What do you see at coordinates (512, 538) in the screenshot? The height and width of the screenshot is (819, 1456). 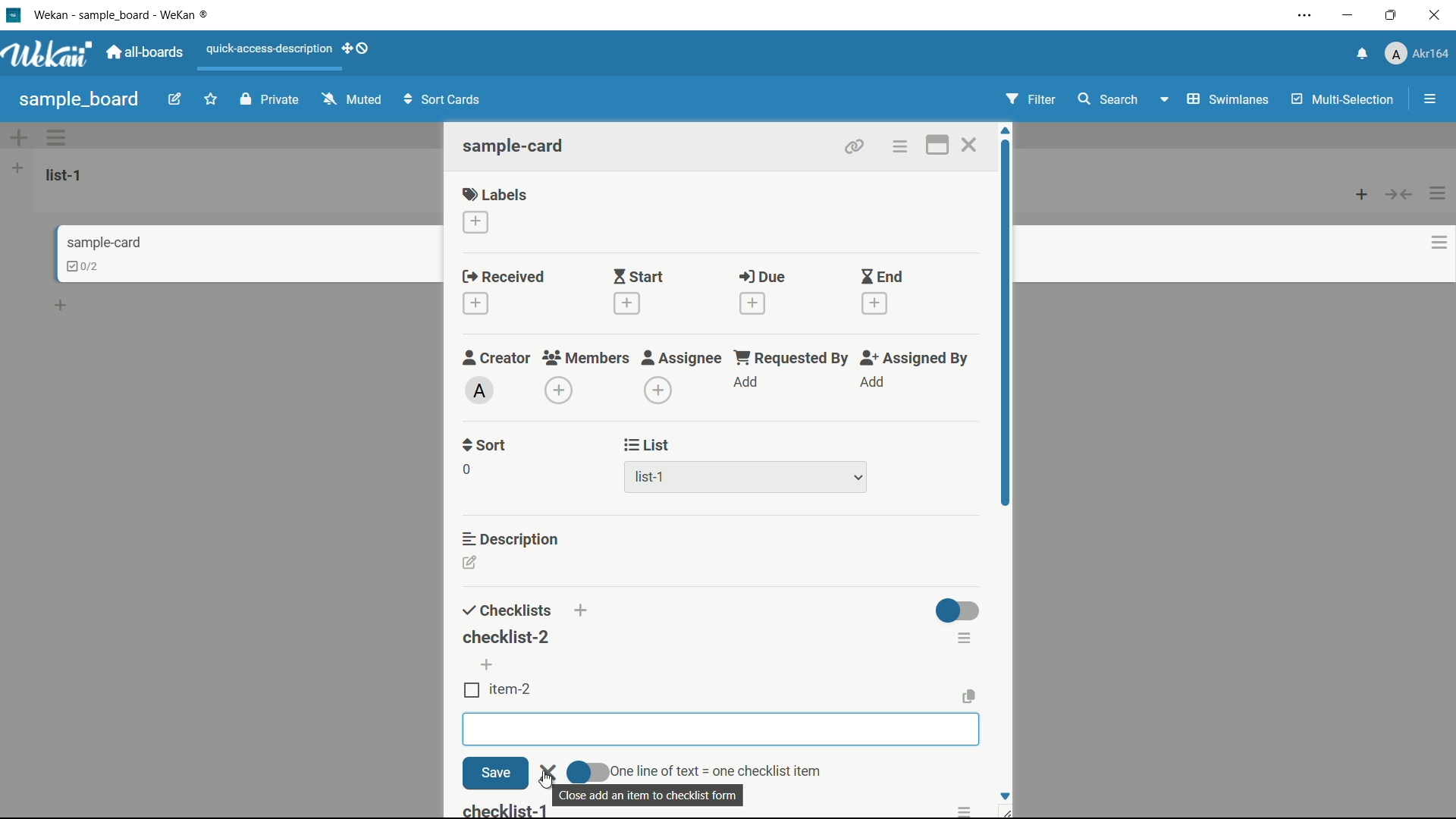 I see `description` at bounding box center [512, 538].